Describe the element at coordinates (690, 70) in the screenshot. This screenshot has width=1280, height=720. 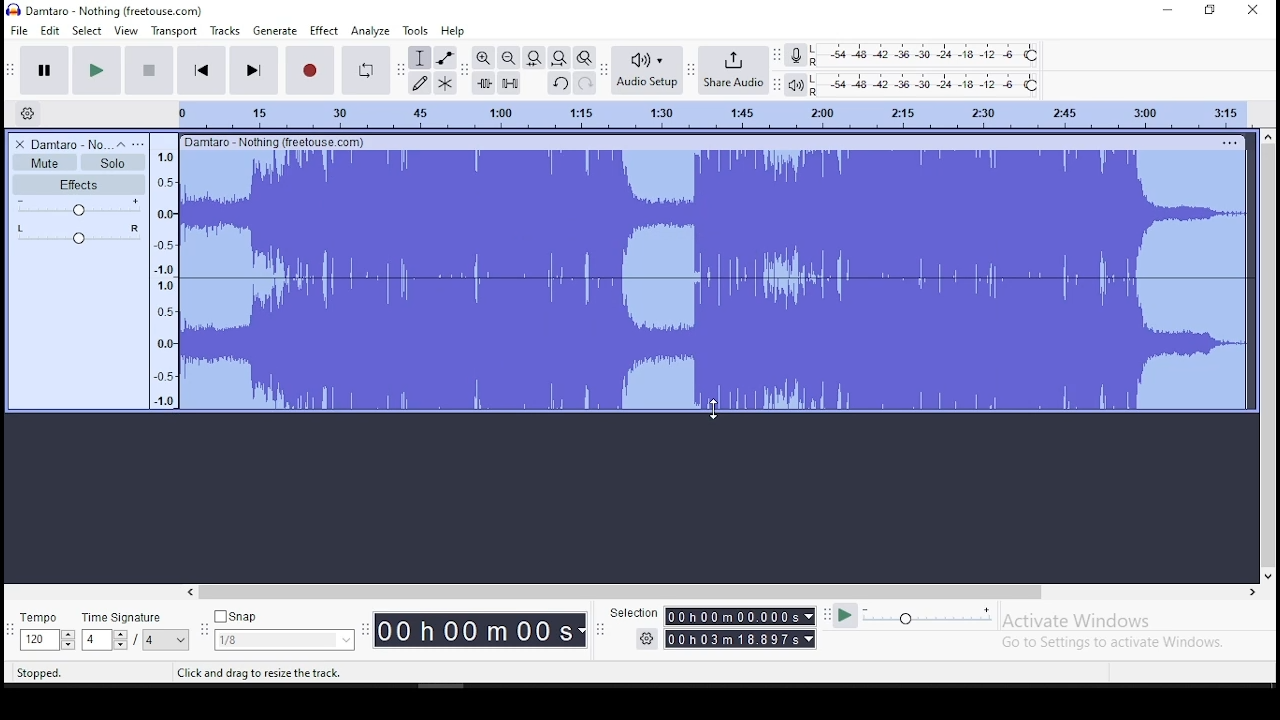
I see `` at that location.